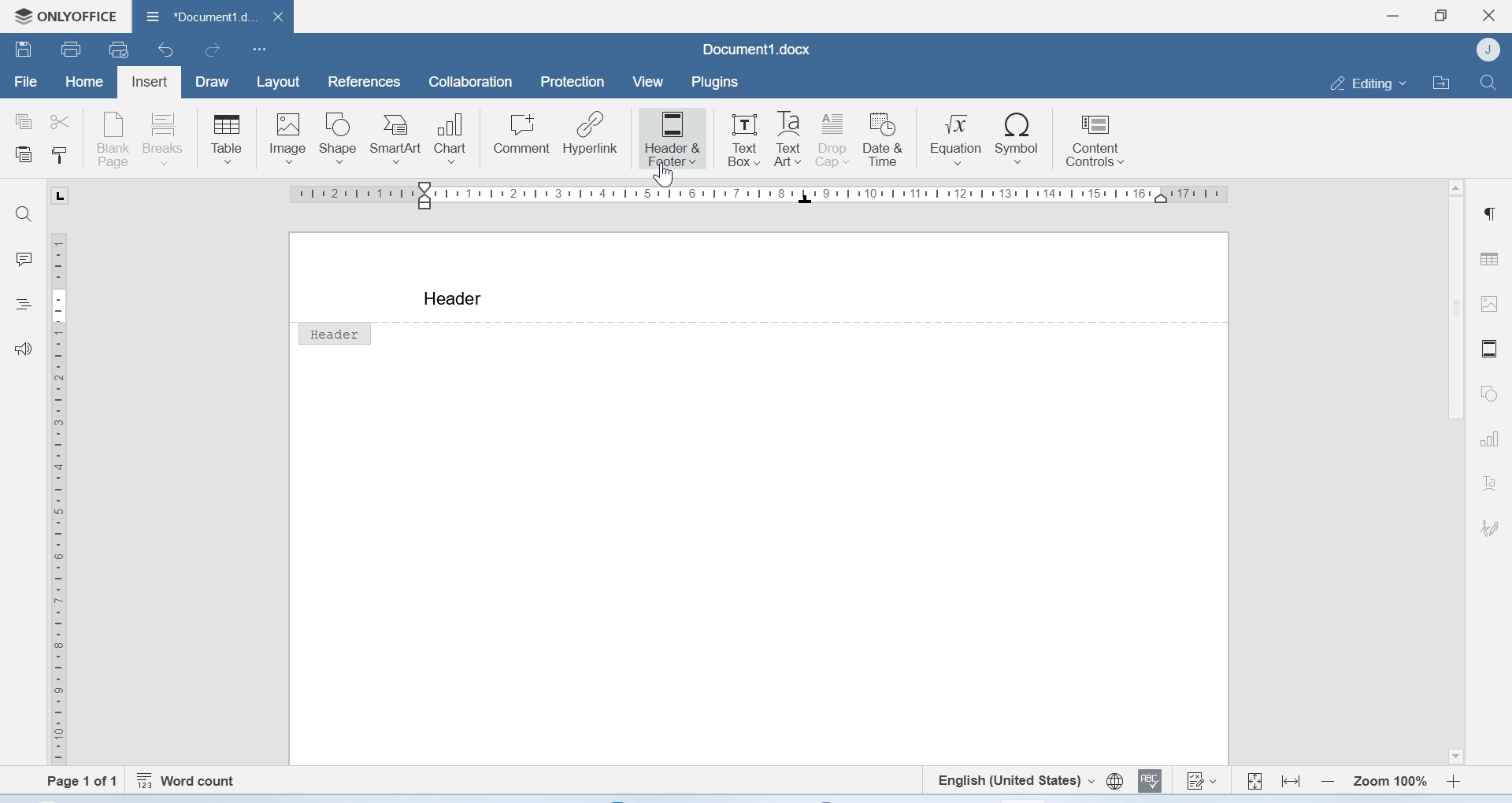  I want to click on Document1.docx, so click(213, 18).